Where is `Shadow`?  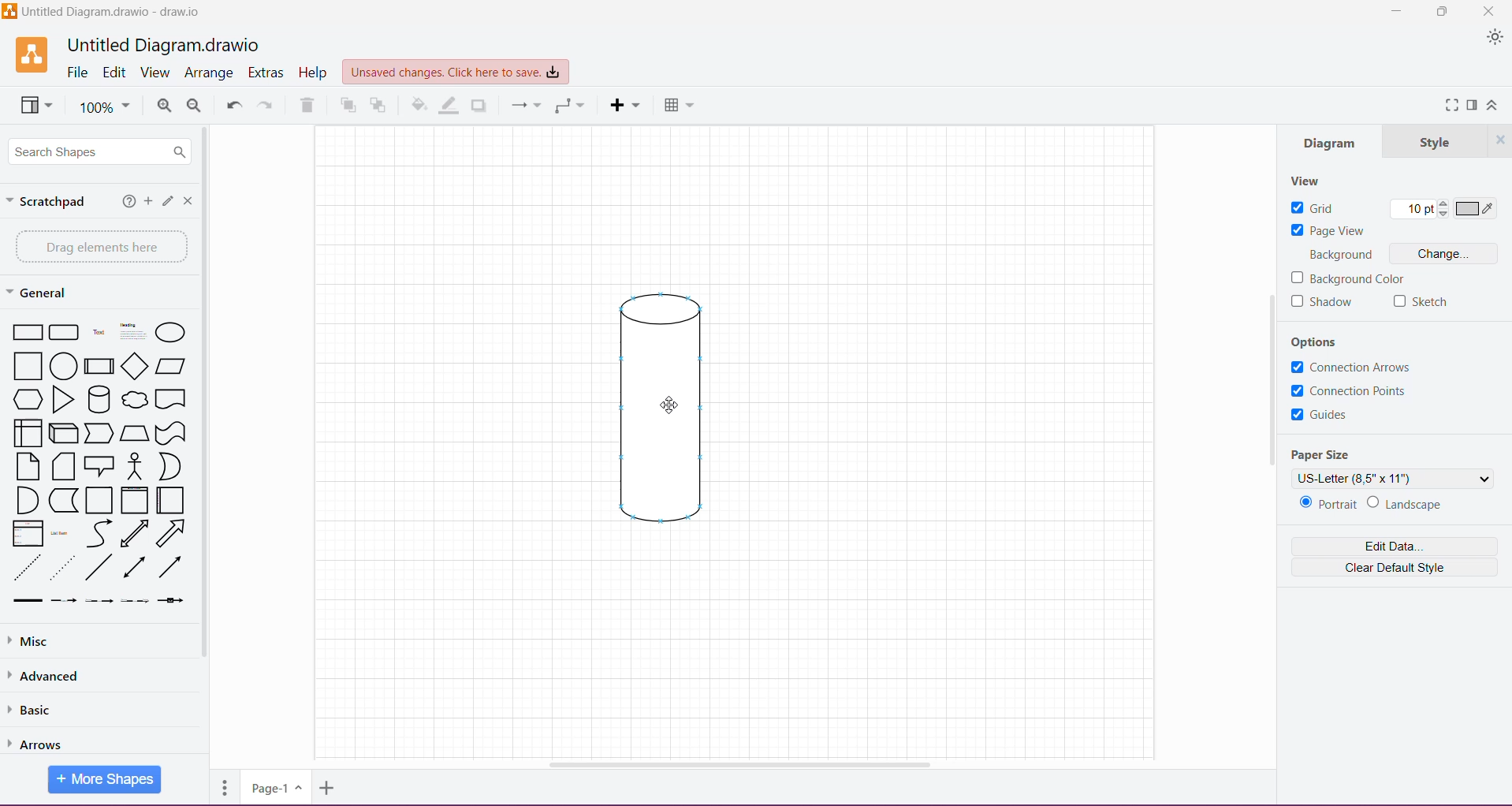 Shadow is located at coordinates (482, 106).